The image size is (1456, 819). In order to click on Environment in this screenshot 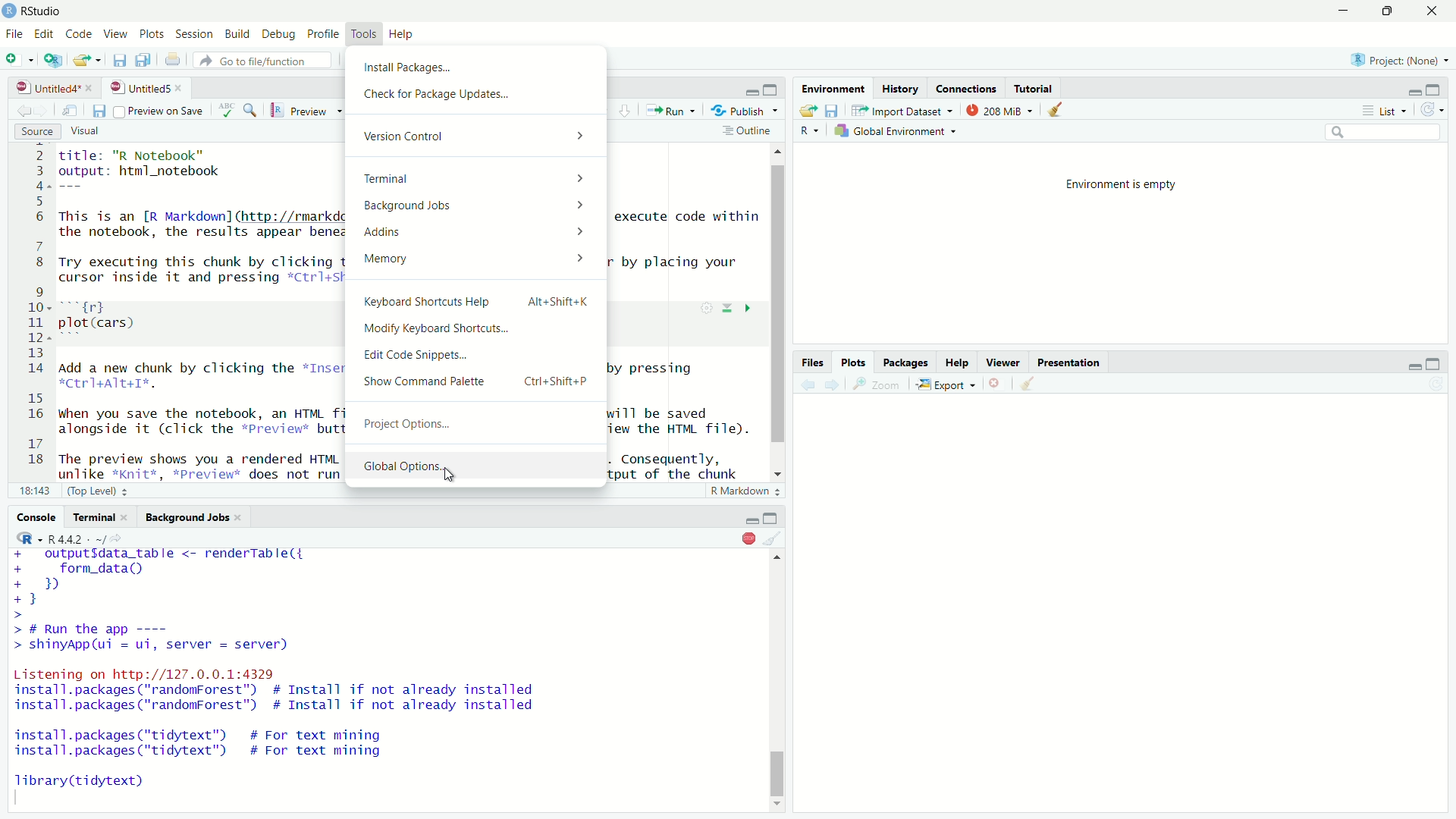, I will do `click(831, 88)`.